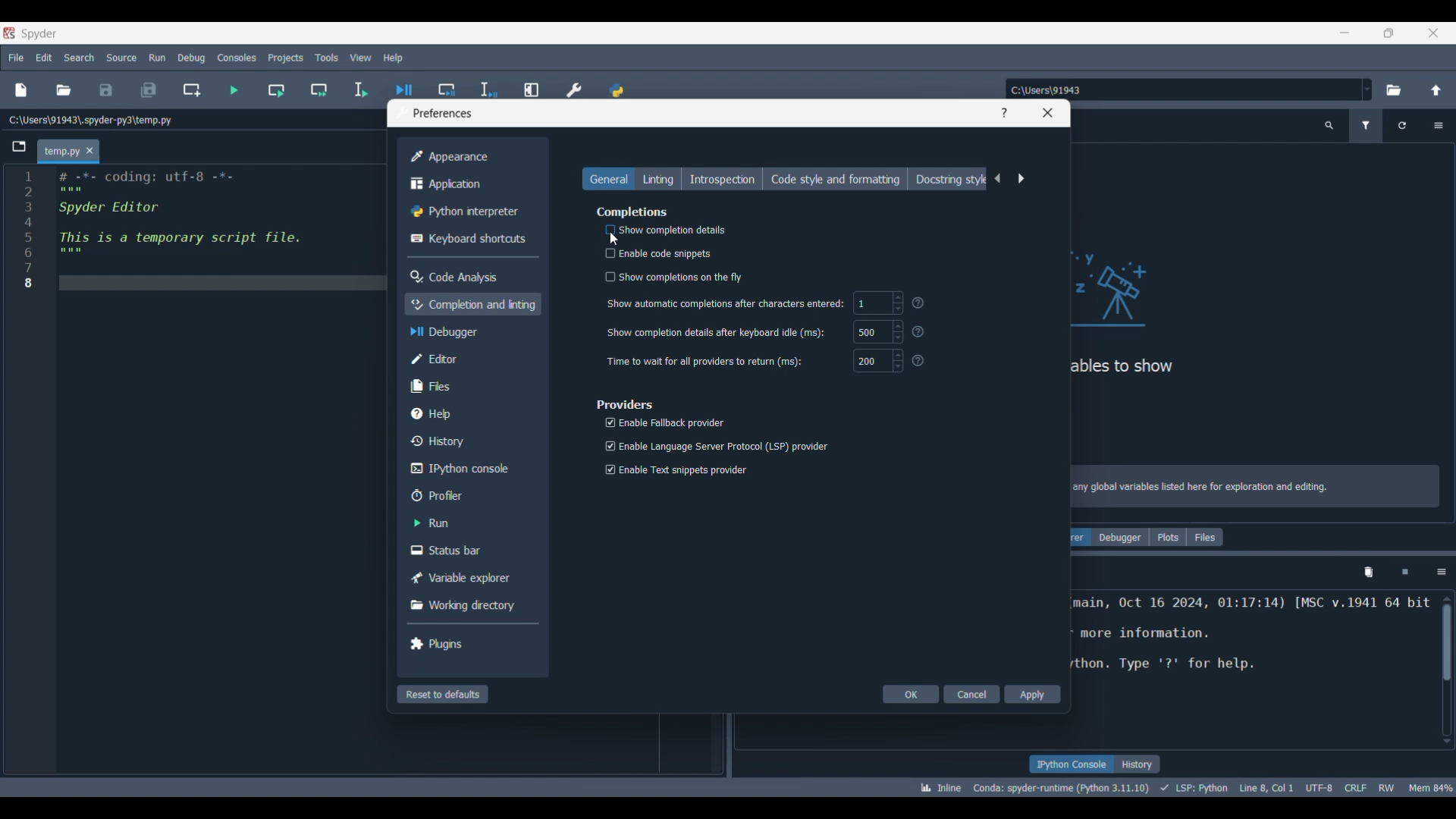  I want to click on General, current selection highlighted, so click(608, 178).